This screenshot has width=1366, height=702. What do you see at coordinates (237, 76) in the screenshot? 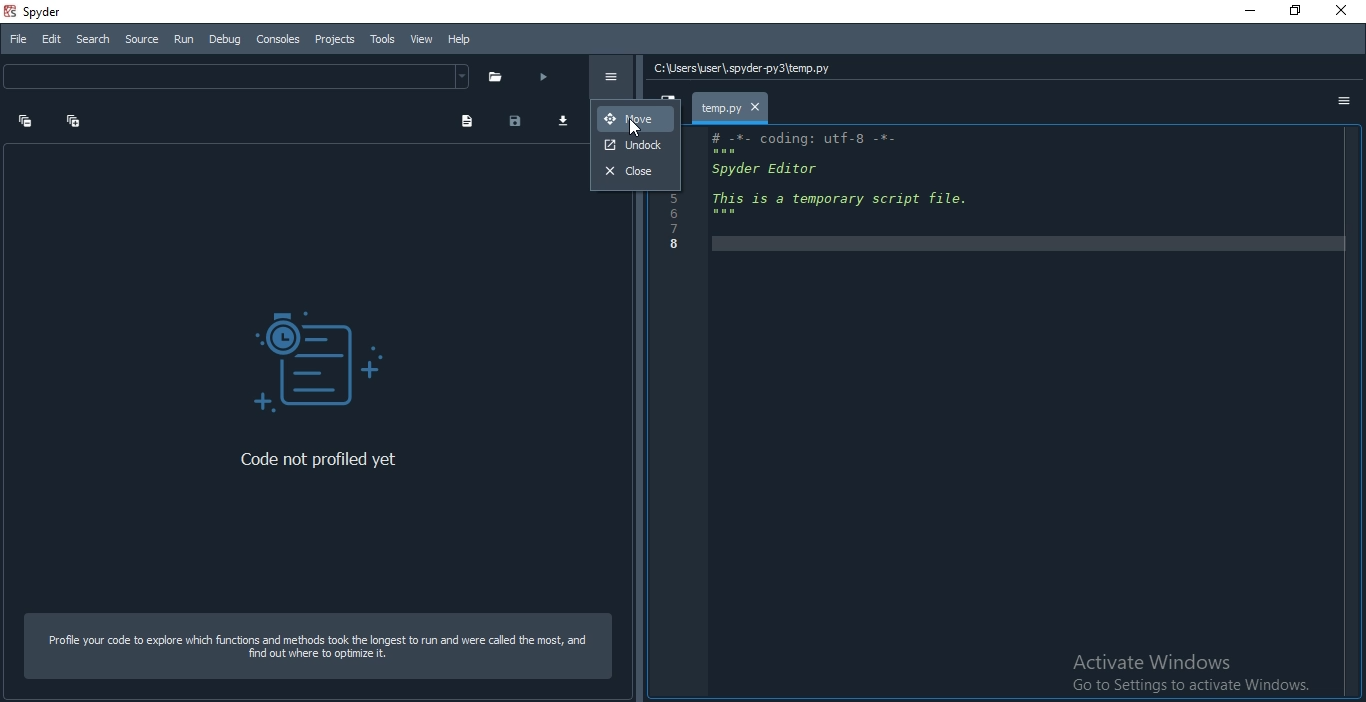
I see `dropdown` at bounding box center [237, 76].